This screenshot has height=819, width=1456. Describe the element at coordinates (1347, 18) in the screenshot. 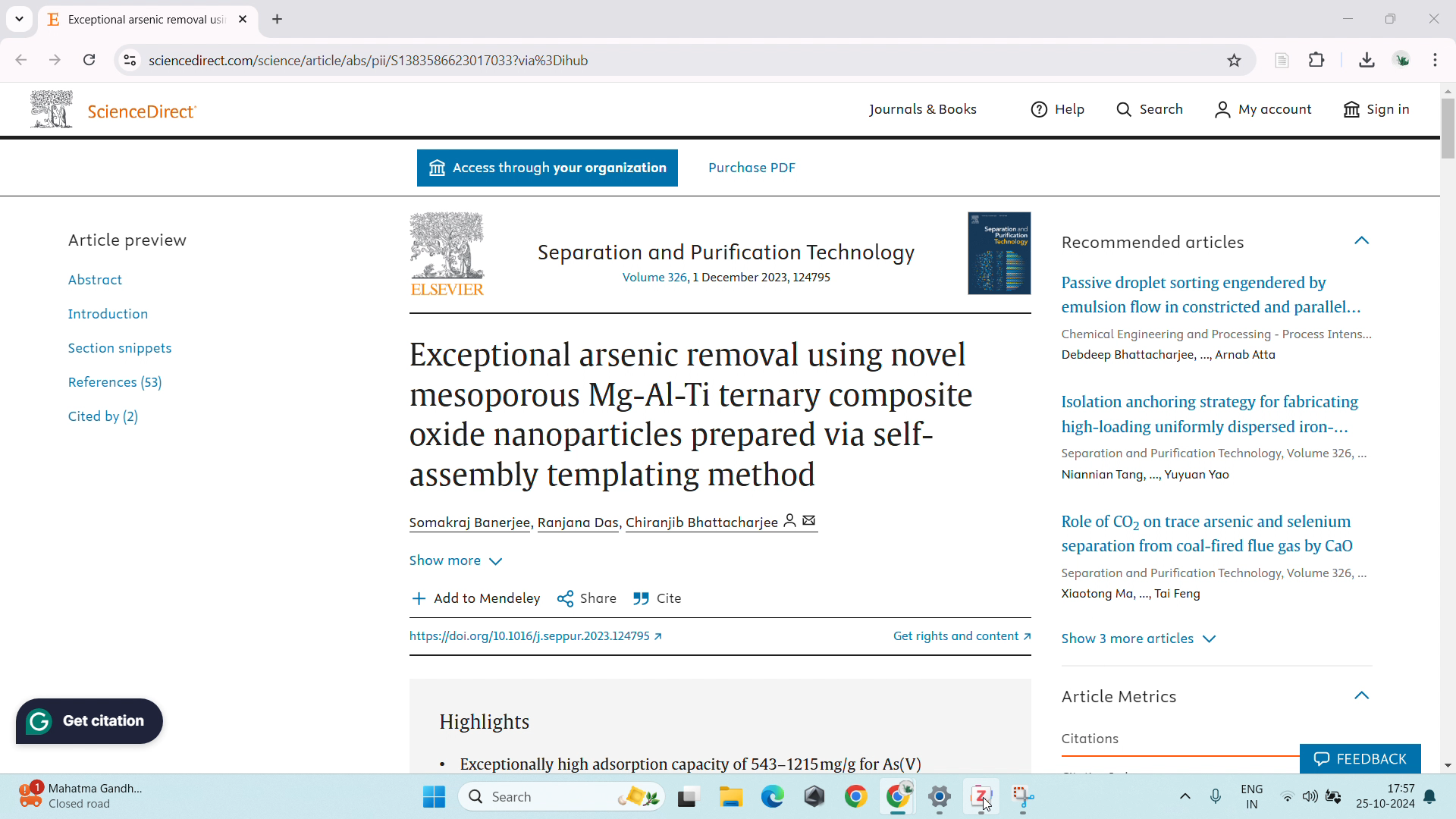

I see `minimize` at that location.